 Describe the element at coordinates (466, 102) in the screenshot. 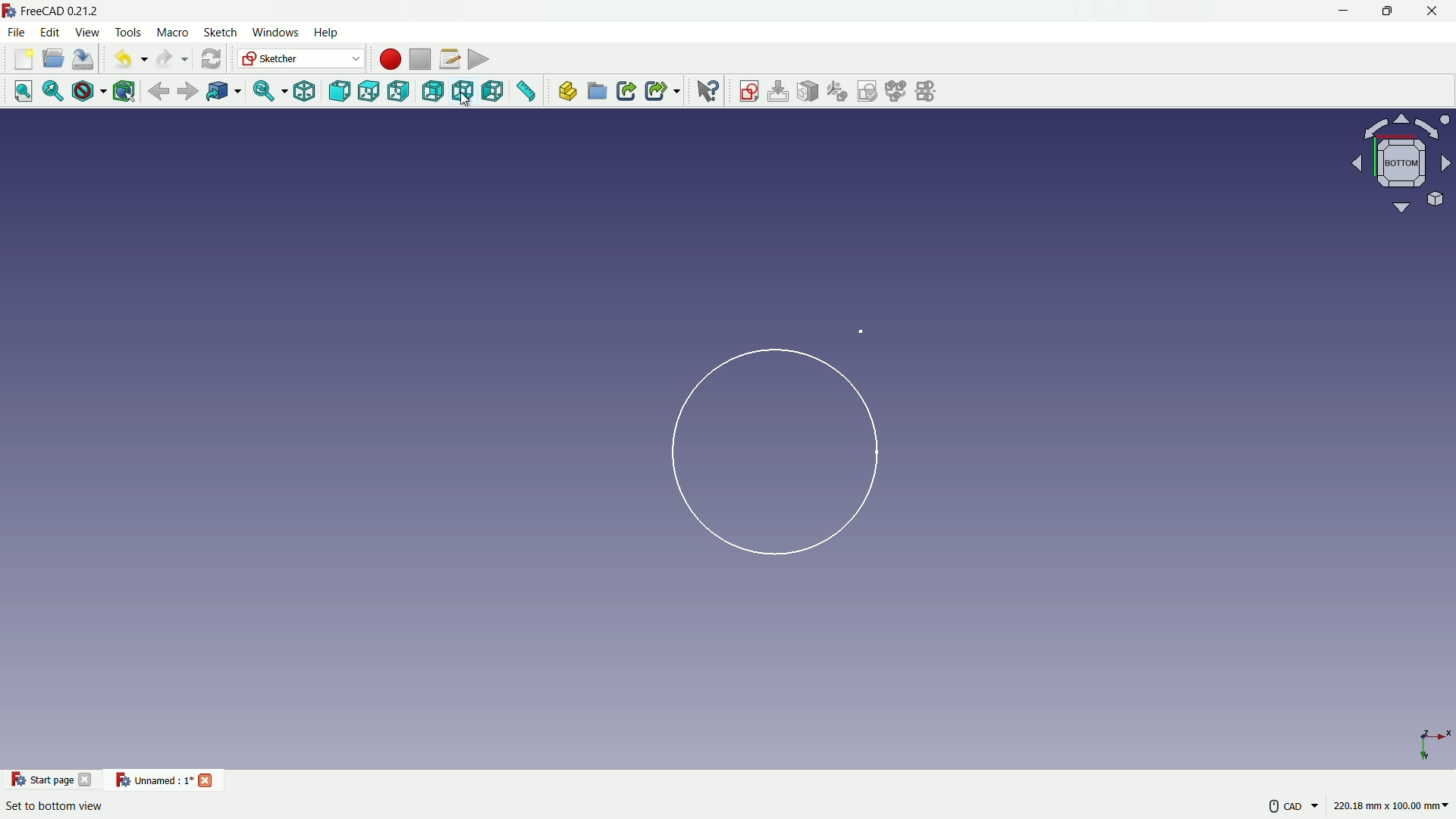

I see `cursor` at that location.